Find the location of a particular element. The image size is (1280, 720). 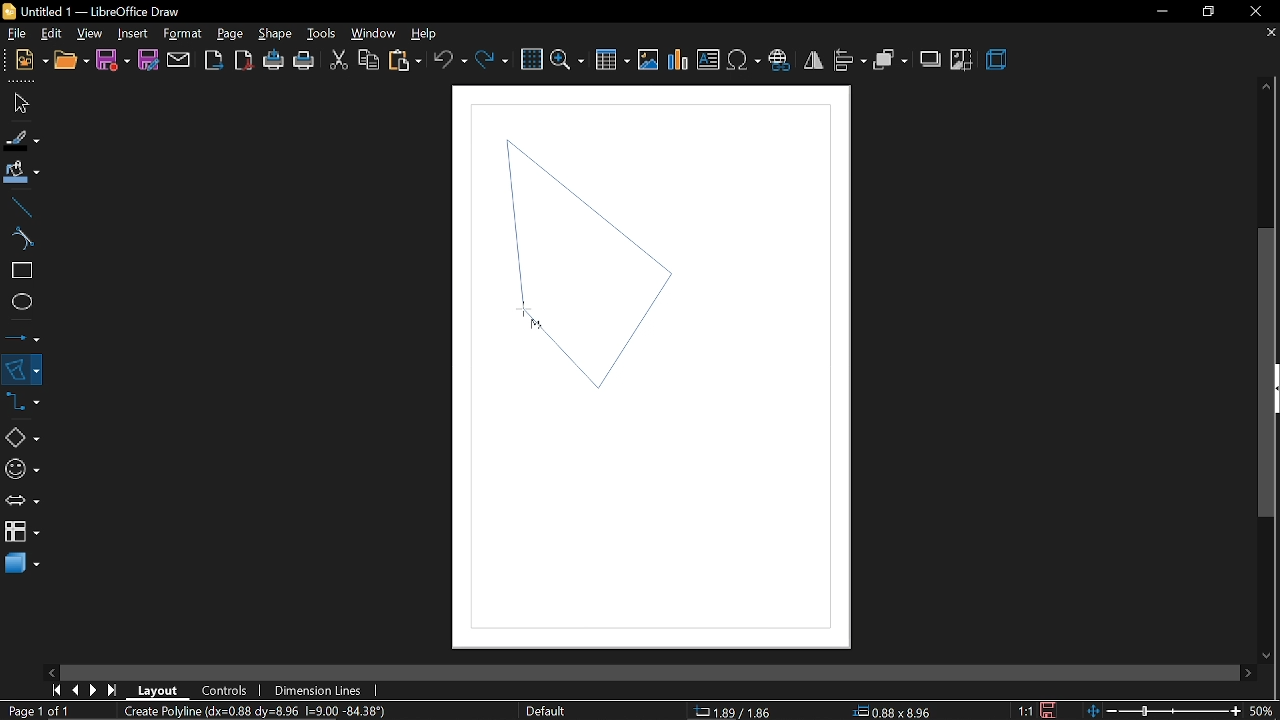

paste is located at coordinates (404, 60).